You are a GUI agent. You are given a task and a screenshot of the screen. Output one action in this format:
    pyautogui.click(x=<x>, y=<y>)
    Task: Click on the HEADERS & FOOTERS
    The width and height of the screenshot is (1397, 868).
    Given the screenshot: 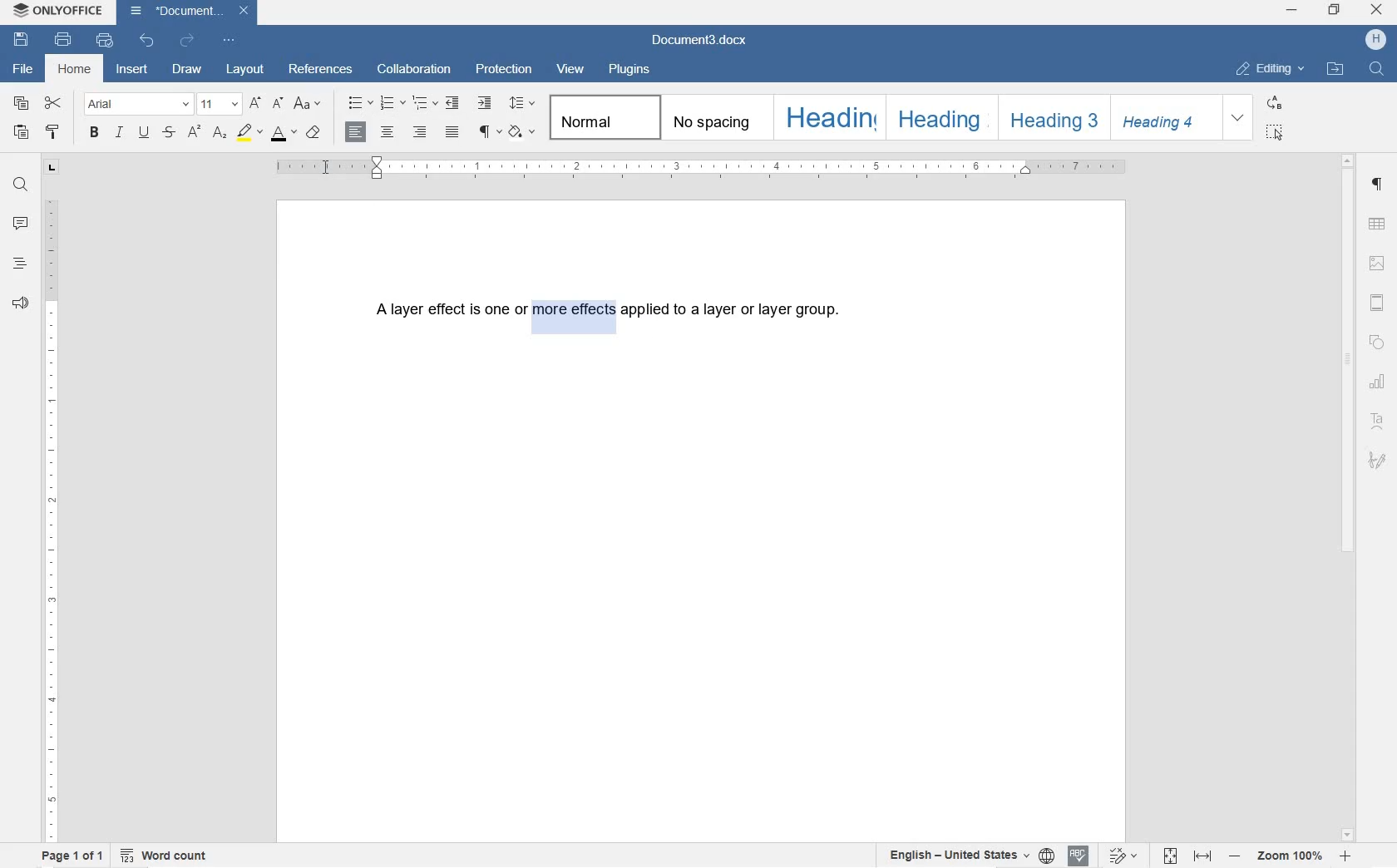 What is the action you would take?
    pyautogui.click(x=1377, y=303)
    